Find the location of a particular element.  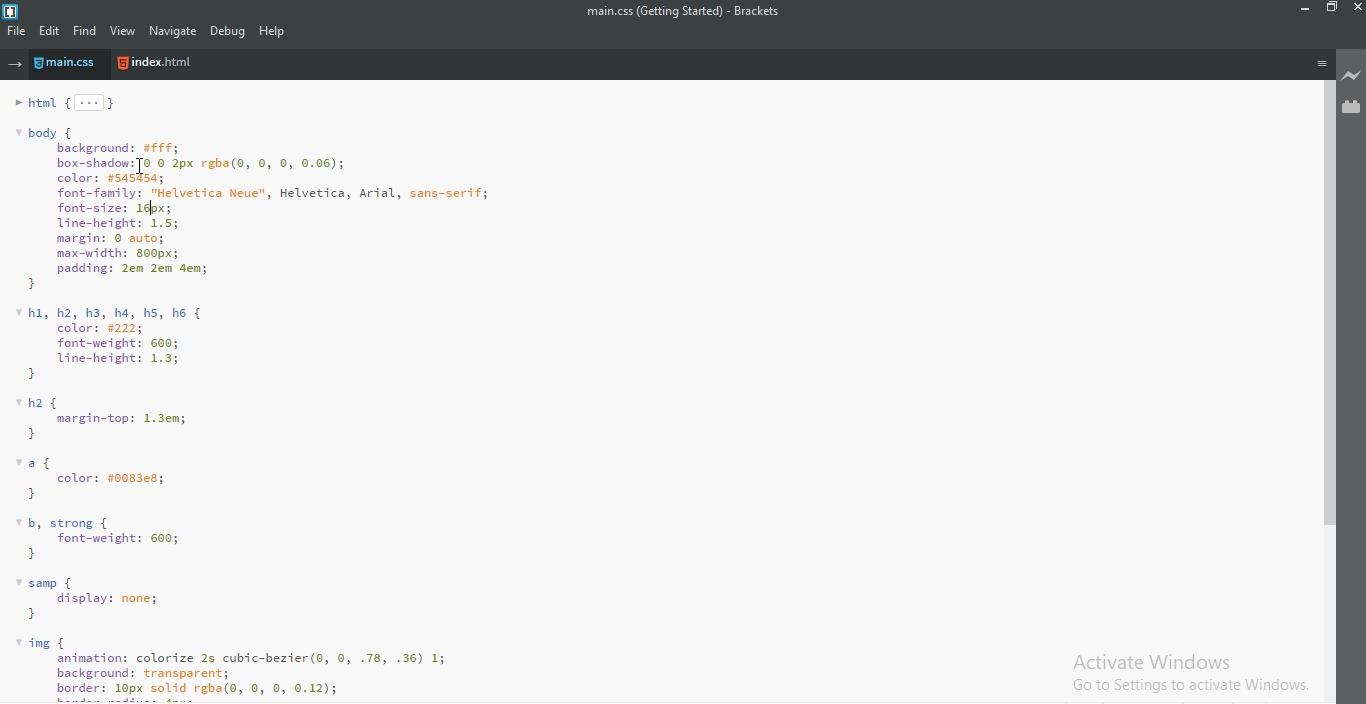

close is located at coordinates (1356, 10).